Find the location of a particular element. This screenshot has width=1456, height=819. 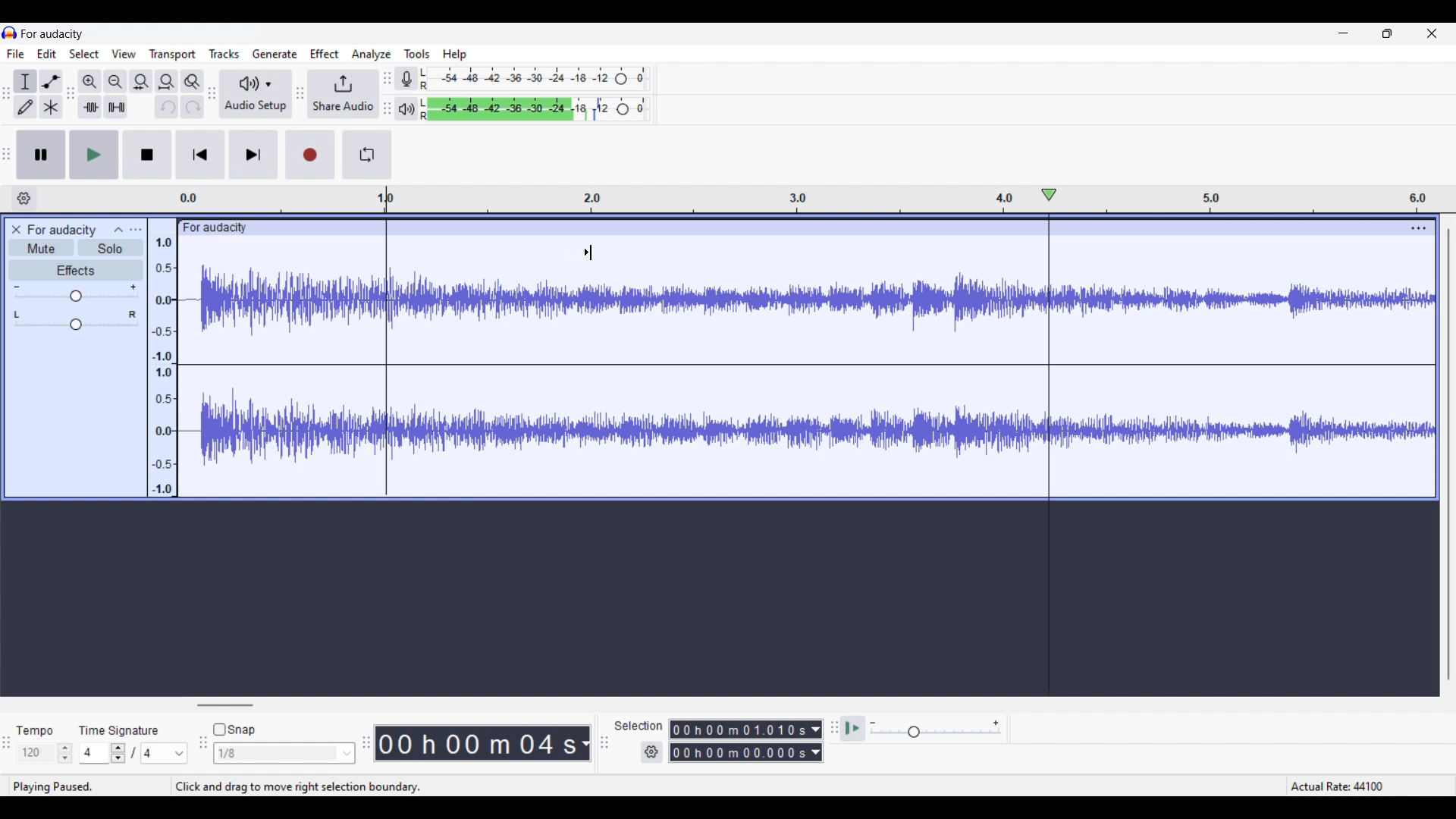

Duration measurement options is located at coordinates (585, 743).